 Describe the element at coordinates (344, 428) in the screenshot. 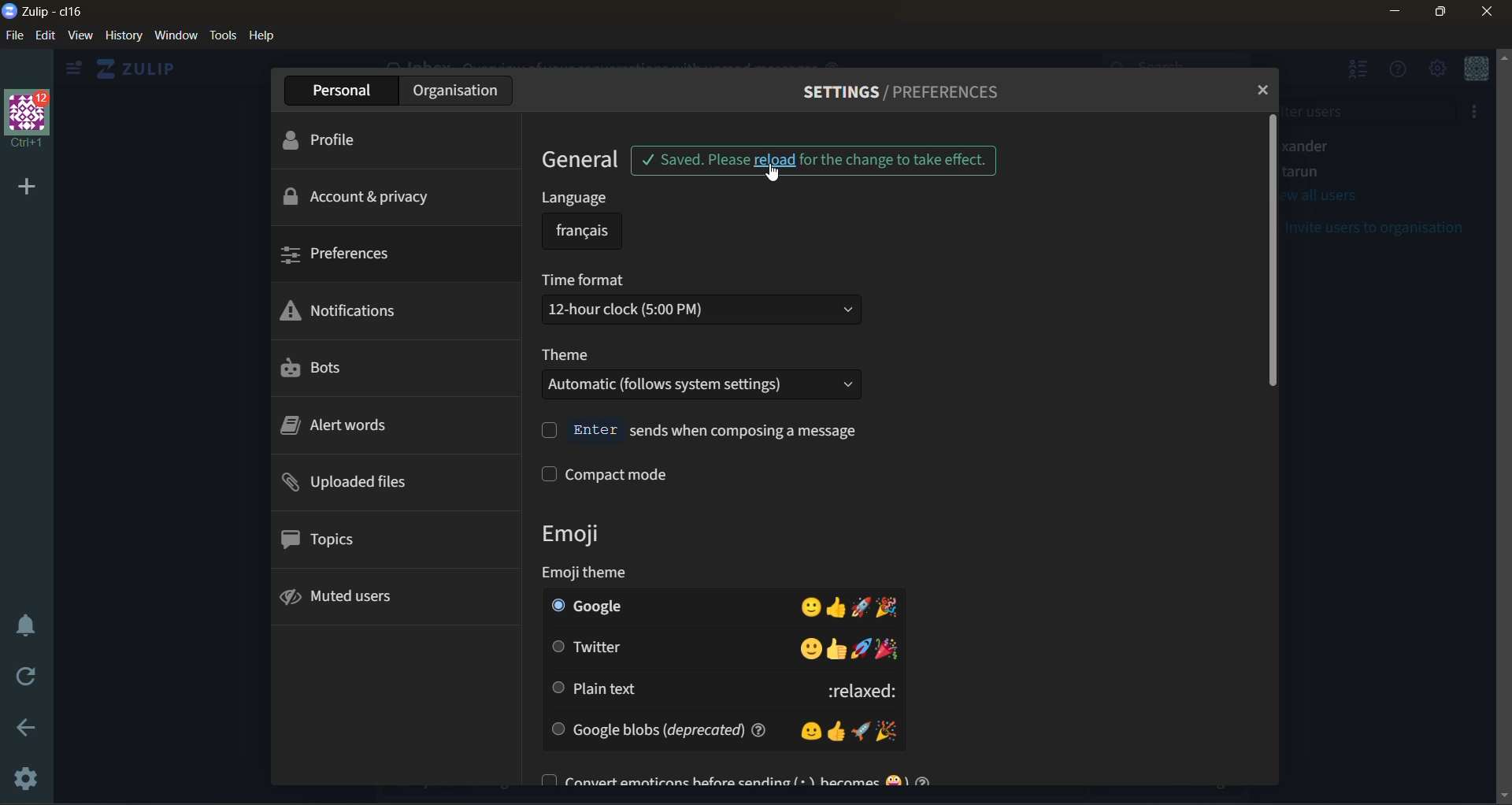

I see `alert words` at that location.